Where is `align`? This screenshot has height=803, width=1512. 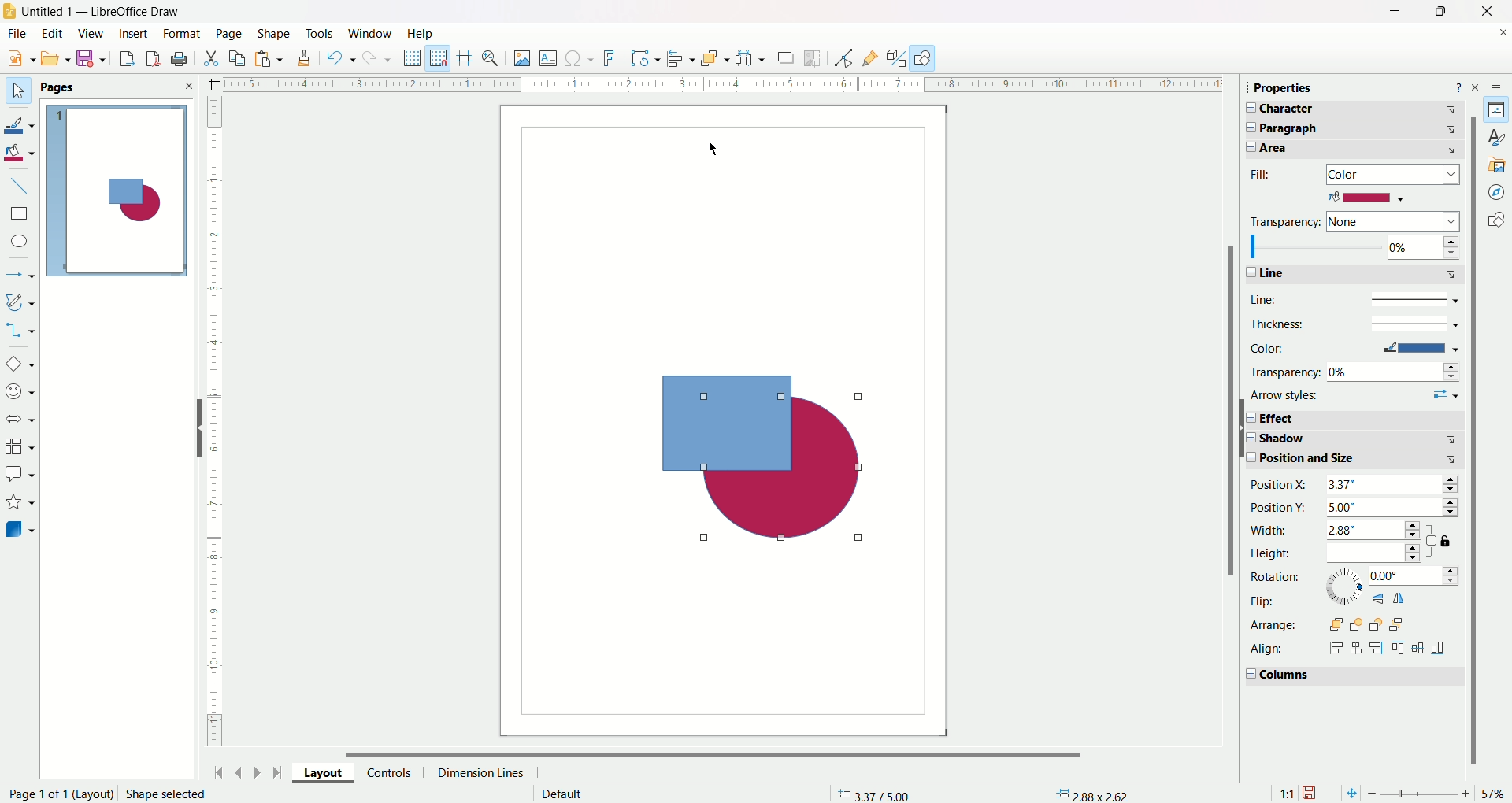
align is located at coordinates (1354, 649).